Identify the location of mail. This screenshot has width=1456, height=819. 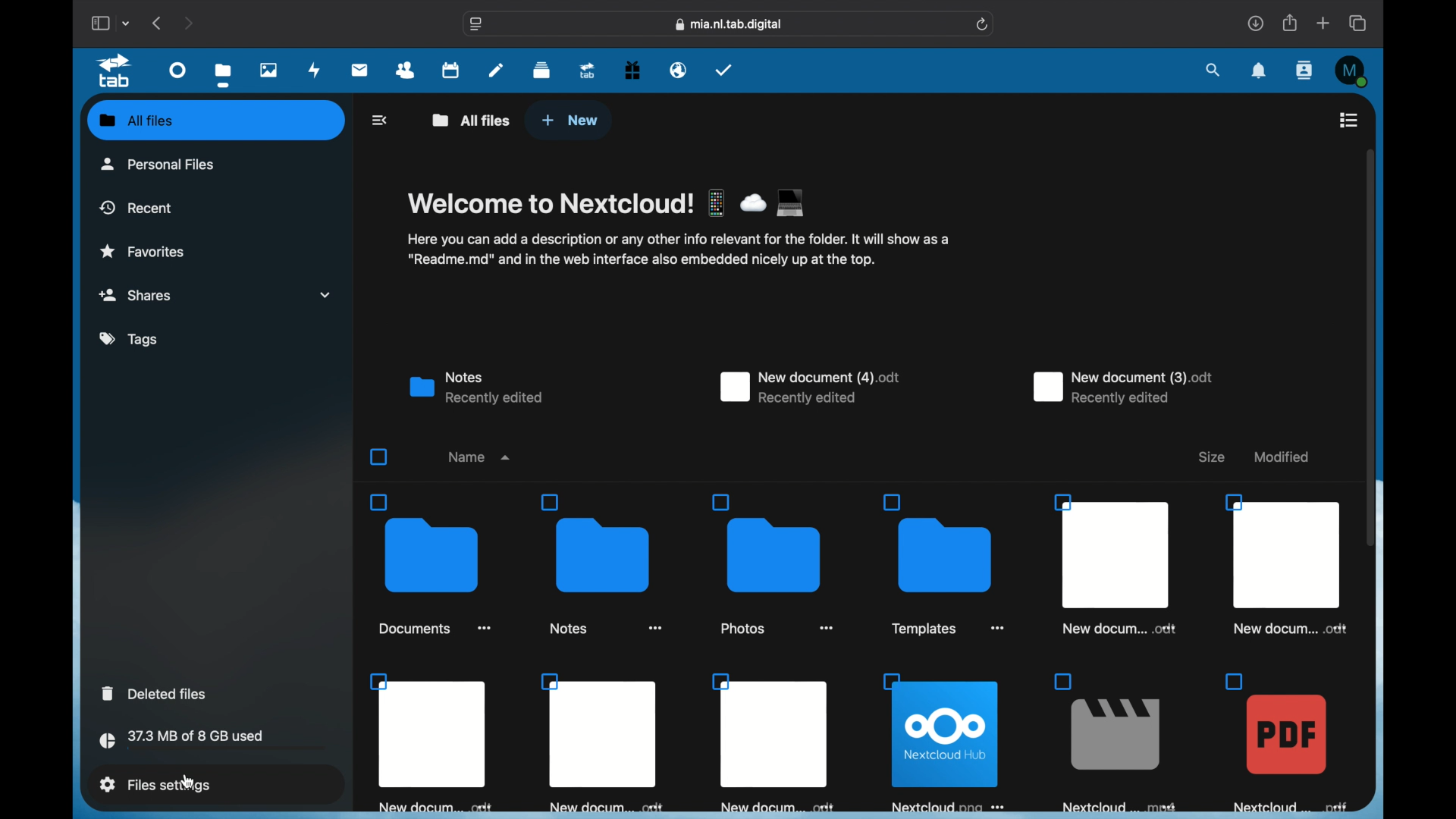
(359, 69).